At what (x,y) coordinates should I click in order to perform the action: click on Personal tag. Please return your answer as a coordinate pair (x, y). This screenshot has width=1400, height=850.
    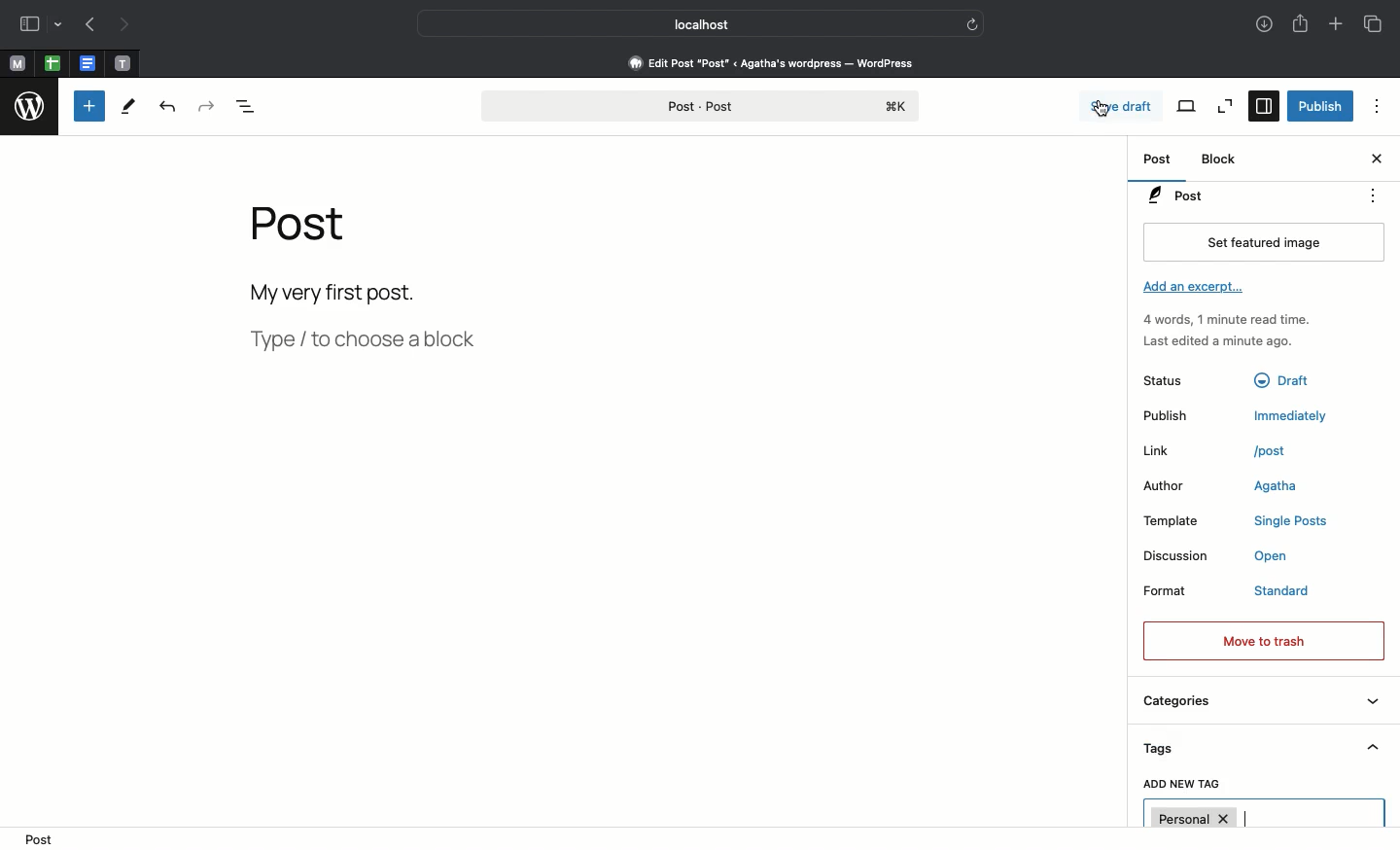
    Looking at the image, I should click on (1264, 813).